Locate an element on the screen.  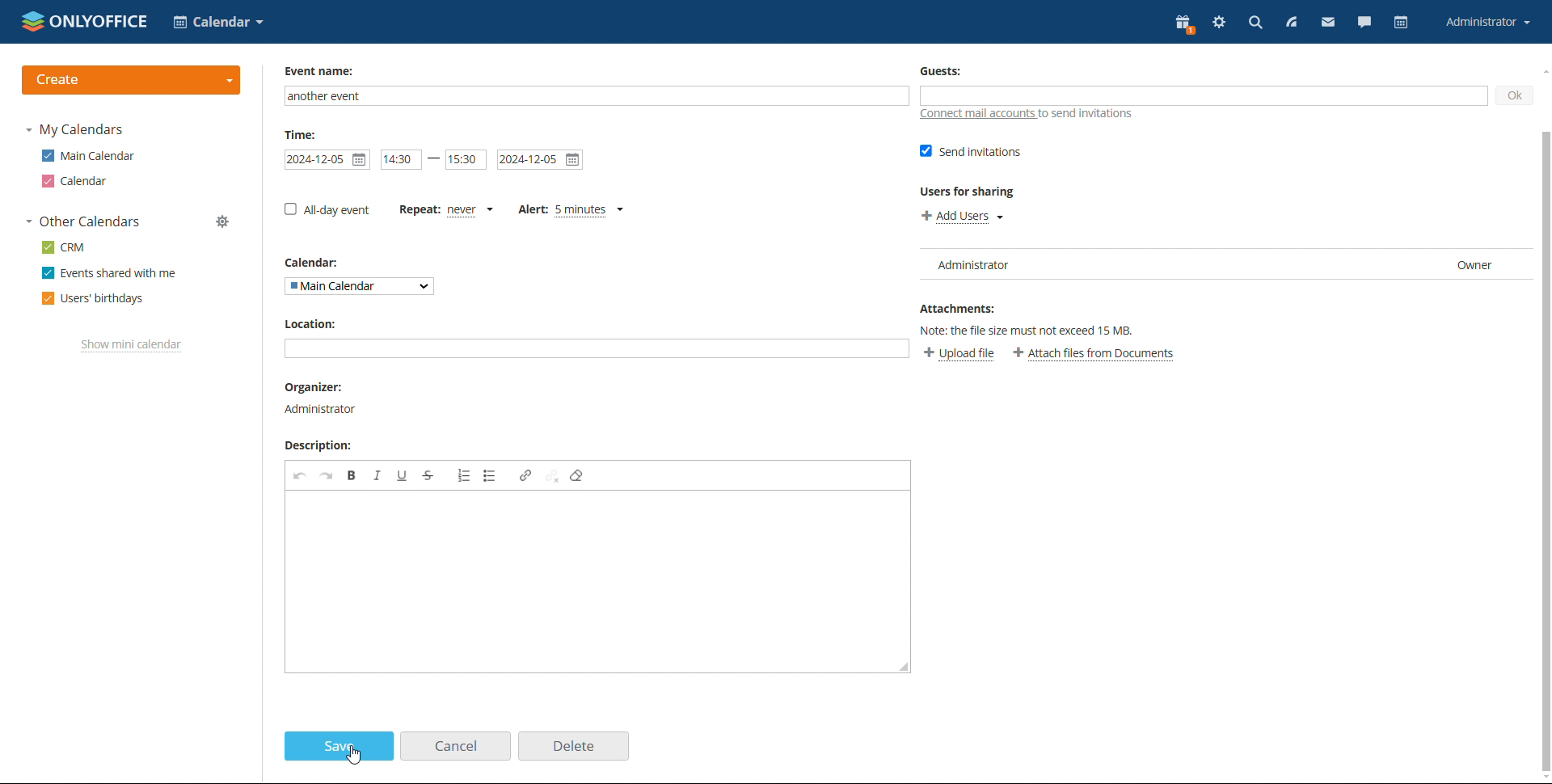
Guests: is located at coordinates (944, 71).